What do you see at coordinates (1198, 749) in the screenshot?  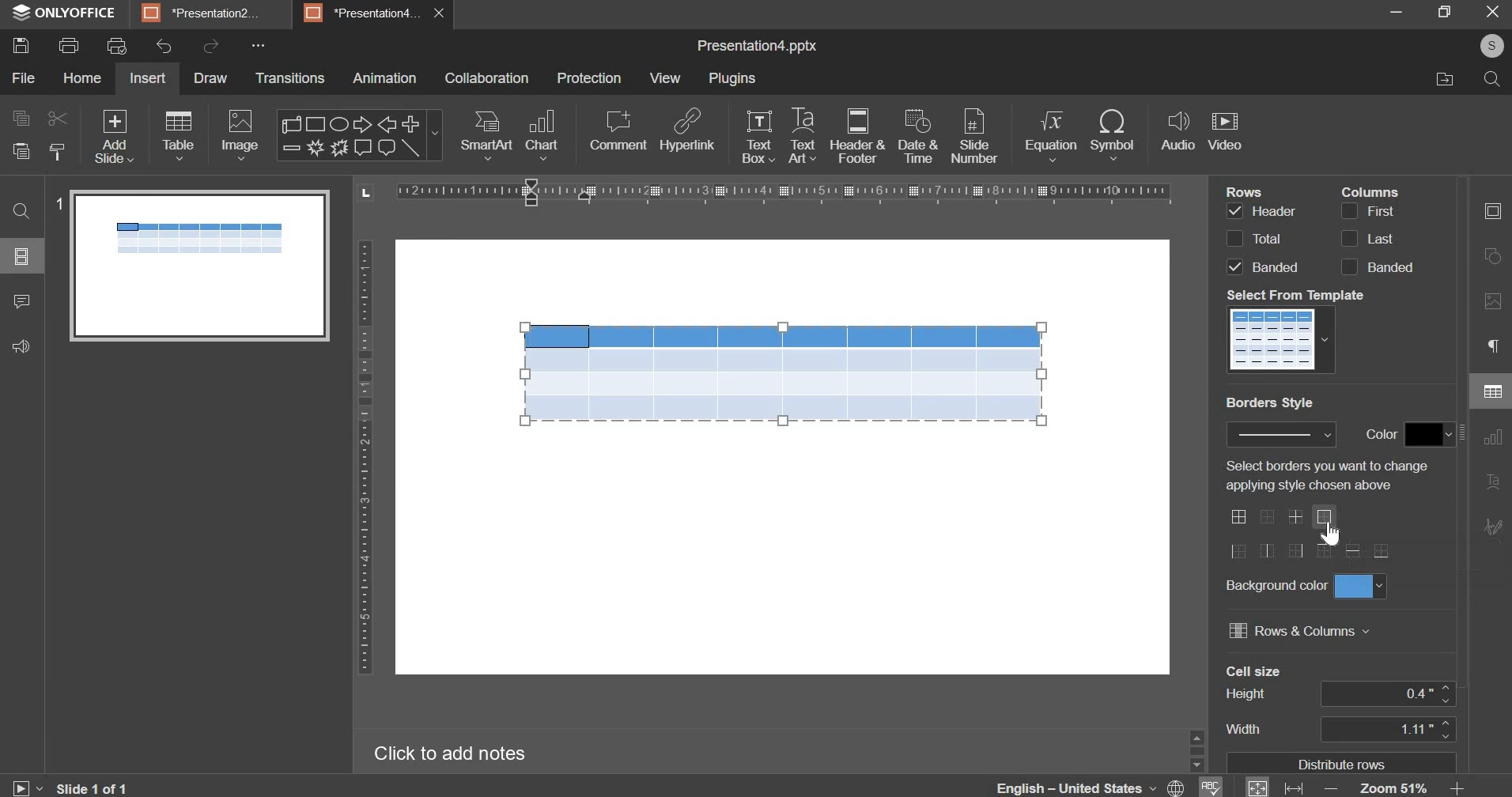 I see `slider` at bounding box center [1198, 749].